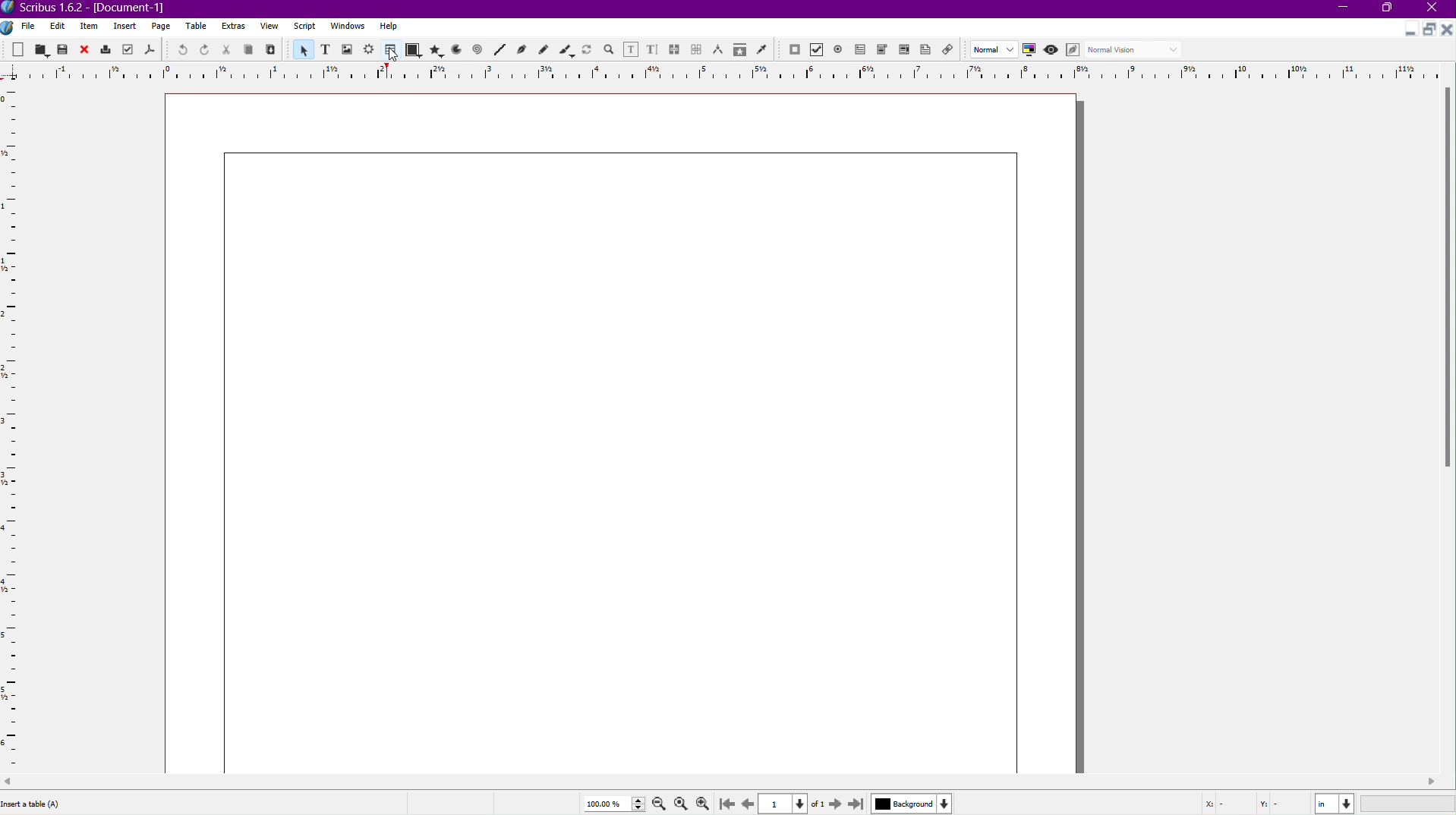 The width and height of the screenshot is (1456, 815). Describe the element at coordinates (632, 49) in the screenshot. I see `Edit Contents of Frame` at that location.